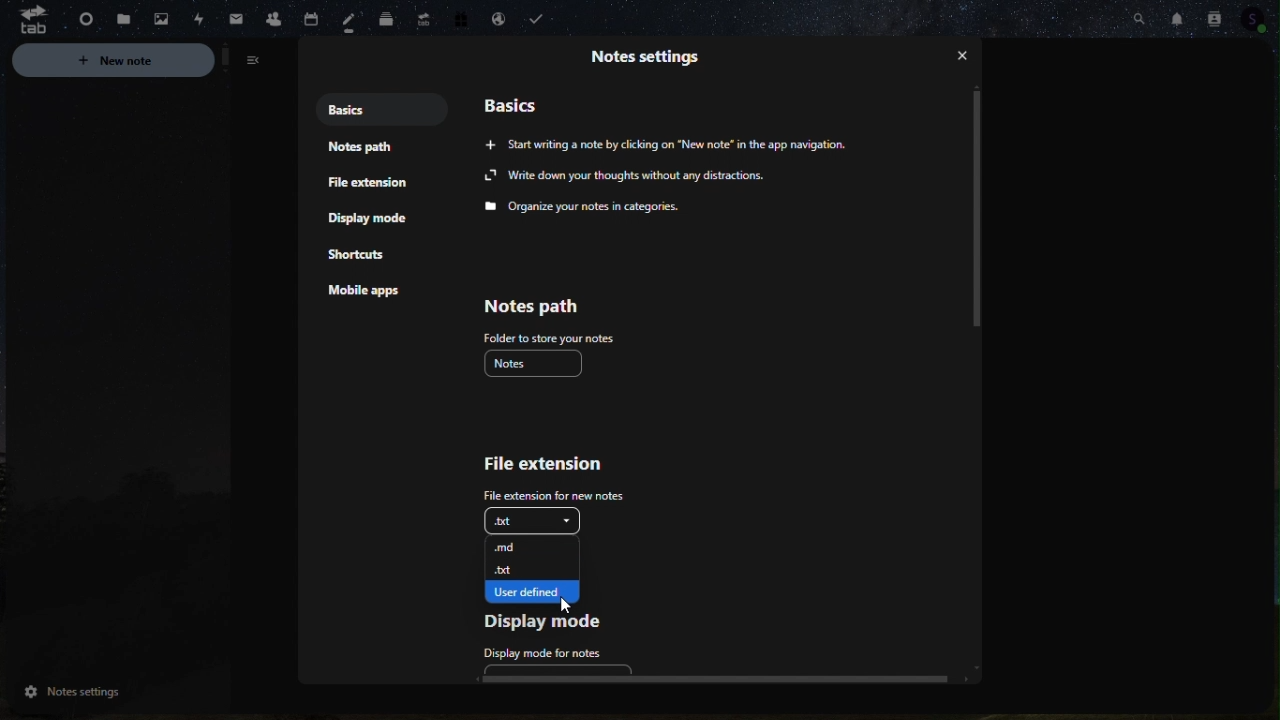  I want to click on Contact, so click(1214, 15).